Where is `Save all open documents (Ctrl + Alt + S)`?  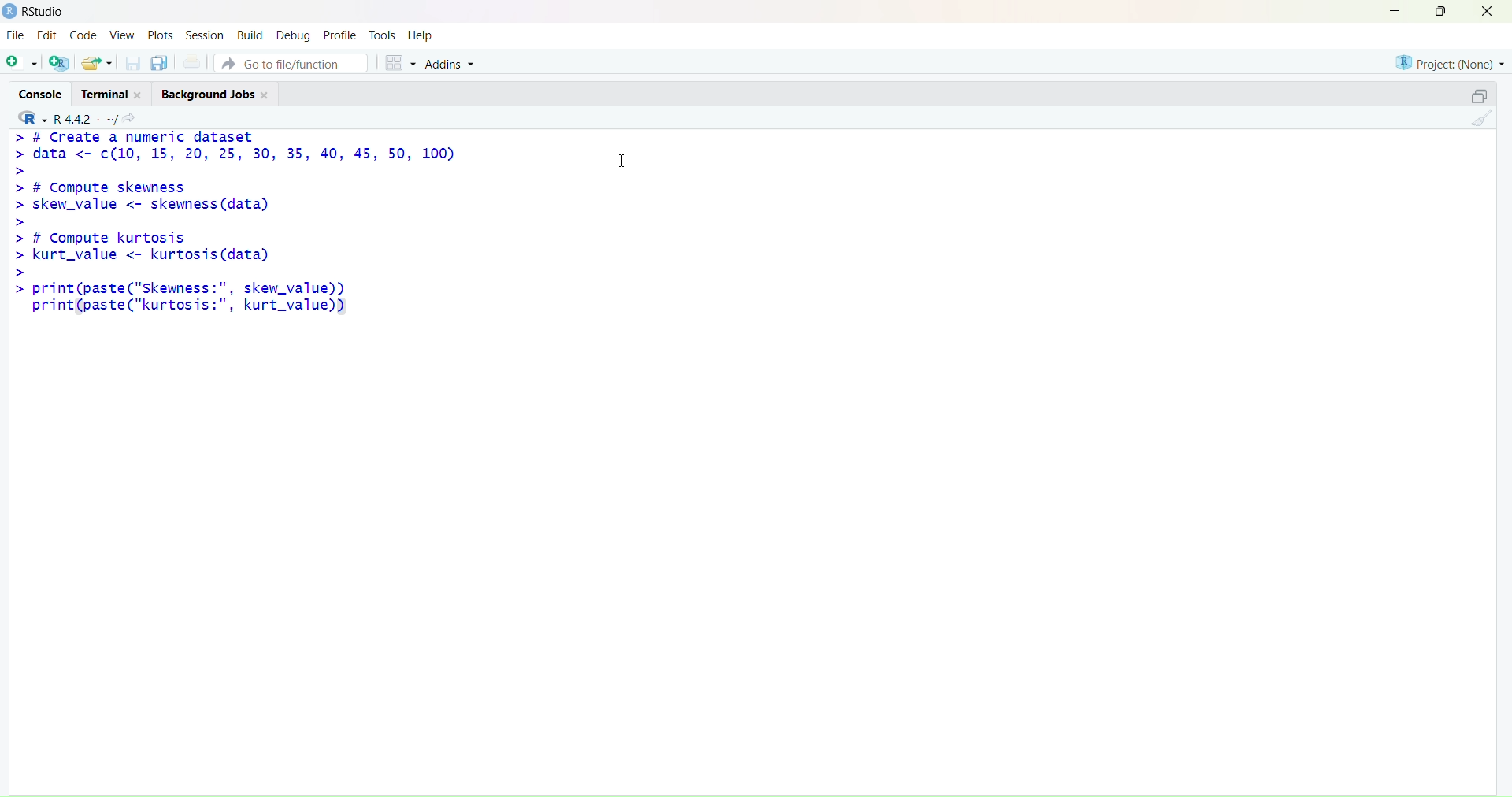 Save all open documents (Ctrl + Alt + S) is located at coordinates (160, 64).